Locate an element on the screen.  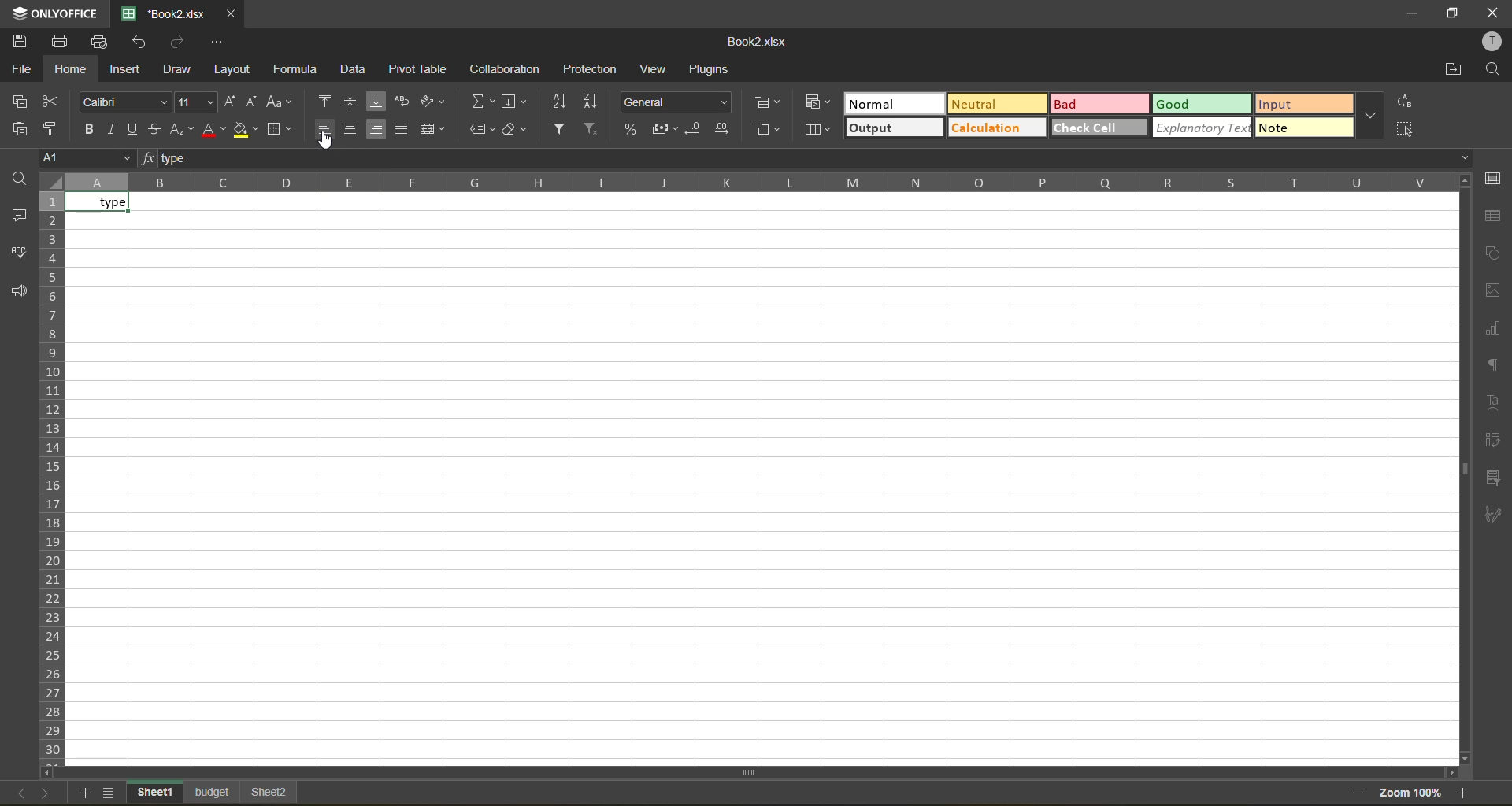
close is located at coordinates (1495, 12).